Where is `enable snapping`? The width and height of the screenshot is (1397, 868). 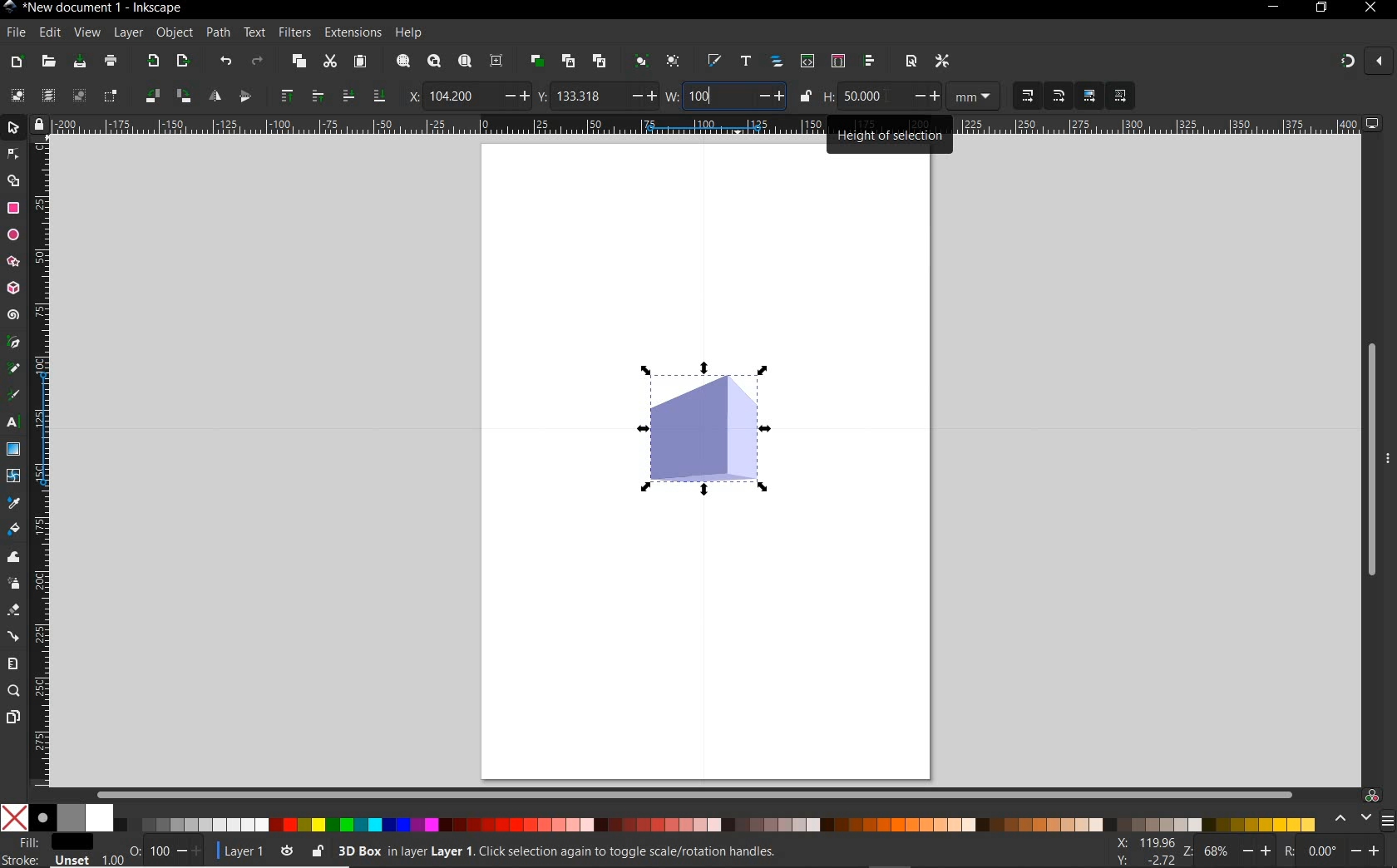
enable snapping is located at coordinates (1346, 62).